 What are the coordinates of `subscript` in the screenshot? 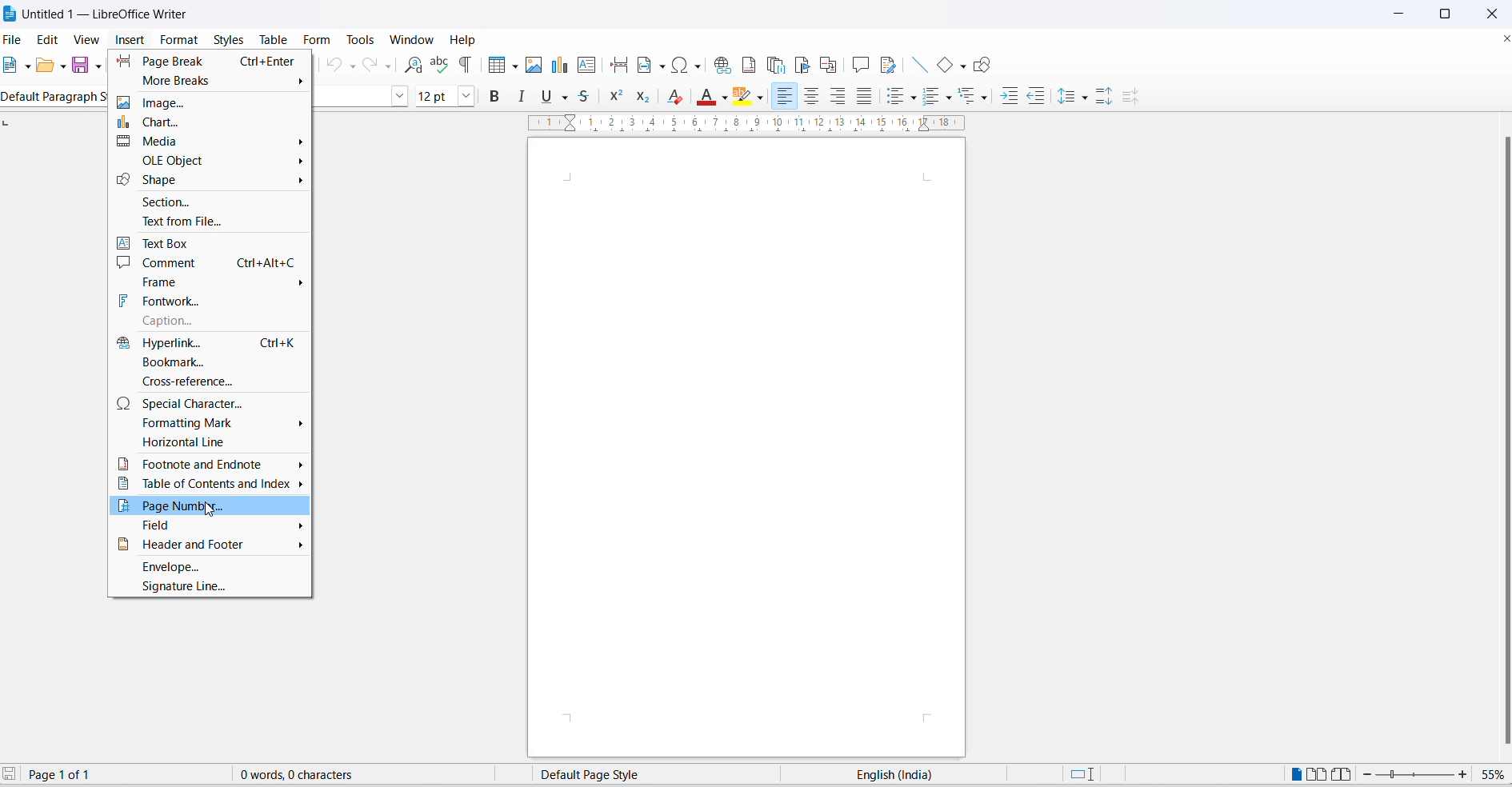 It's located at (646, 97).